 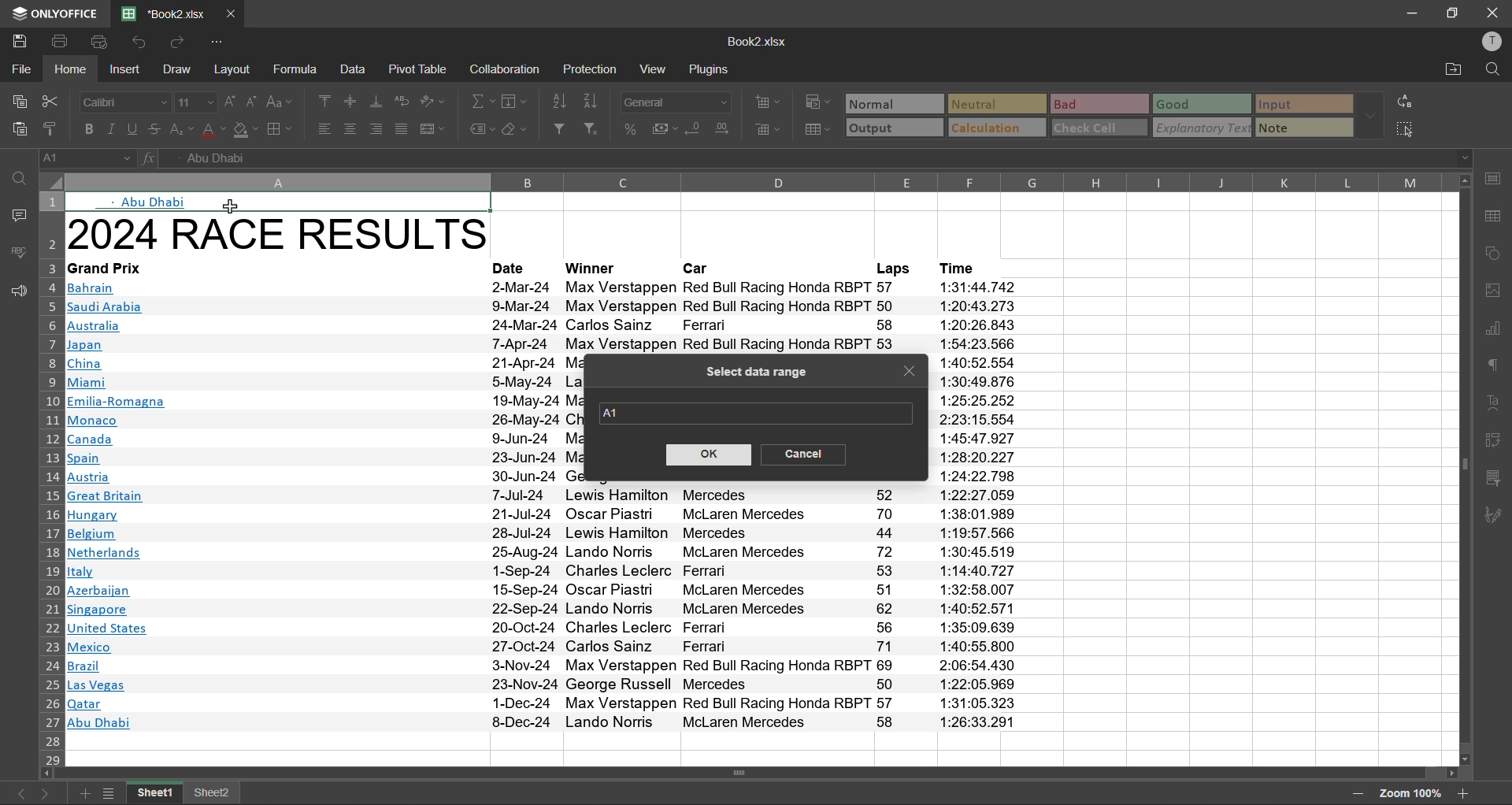 What do you see at coordinates (327, 102) in the screenshot?
I see `align top` at bounding box center [327, 102].